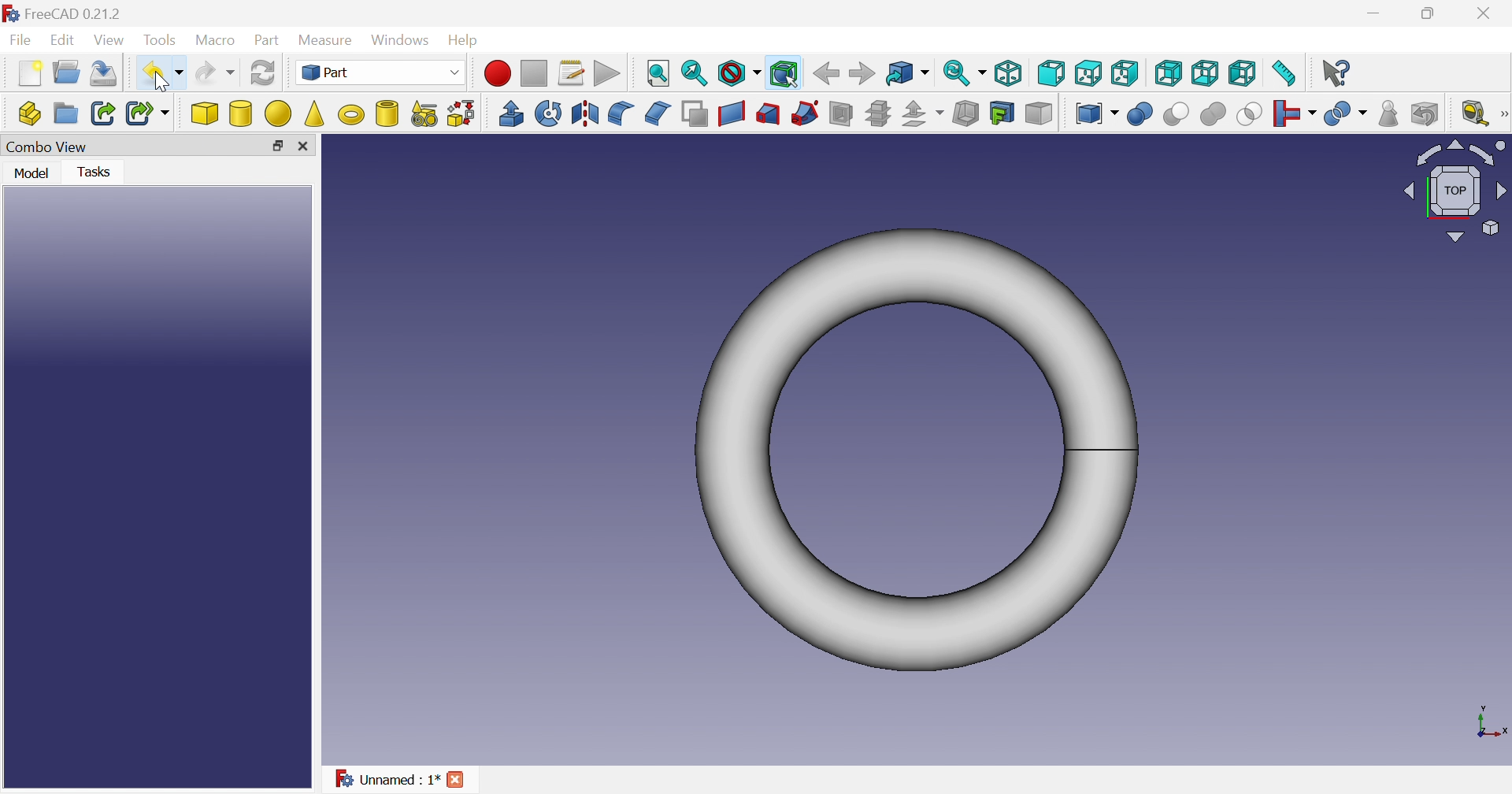 The width and height of the screenshot is (1512, 794). What do you see at coordinates (862, 72) in the screenshot?
I see `Forward` at bounding box center [862, 72].